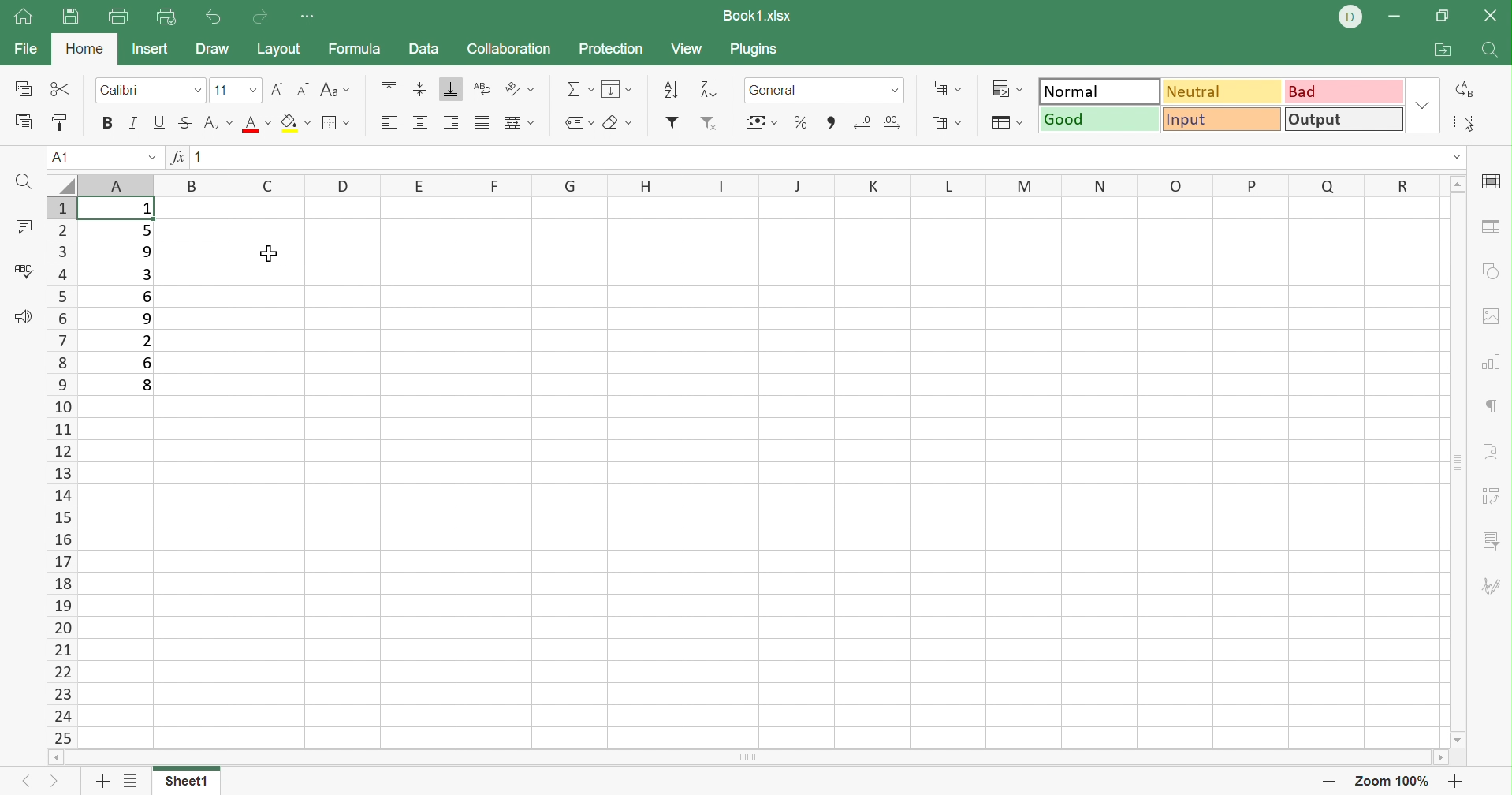  What do you see at coordinates (160, 125) in the screenshot?
I see `Underline` at bounding box center [160, 125].